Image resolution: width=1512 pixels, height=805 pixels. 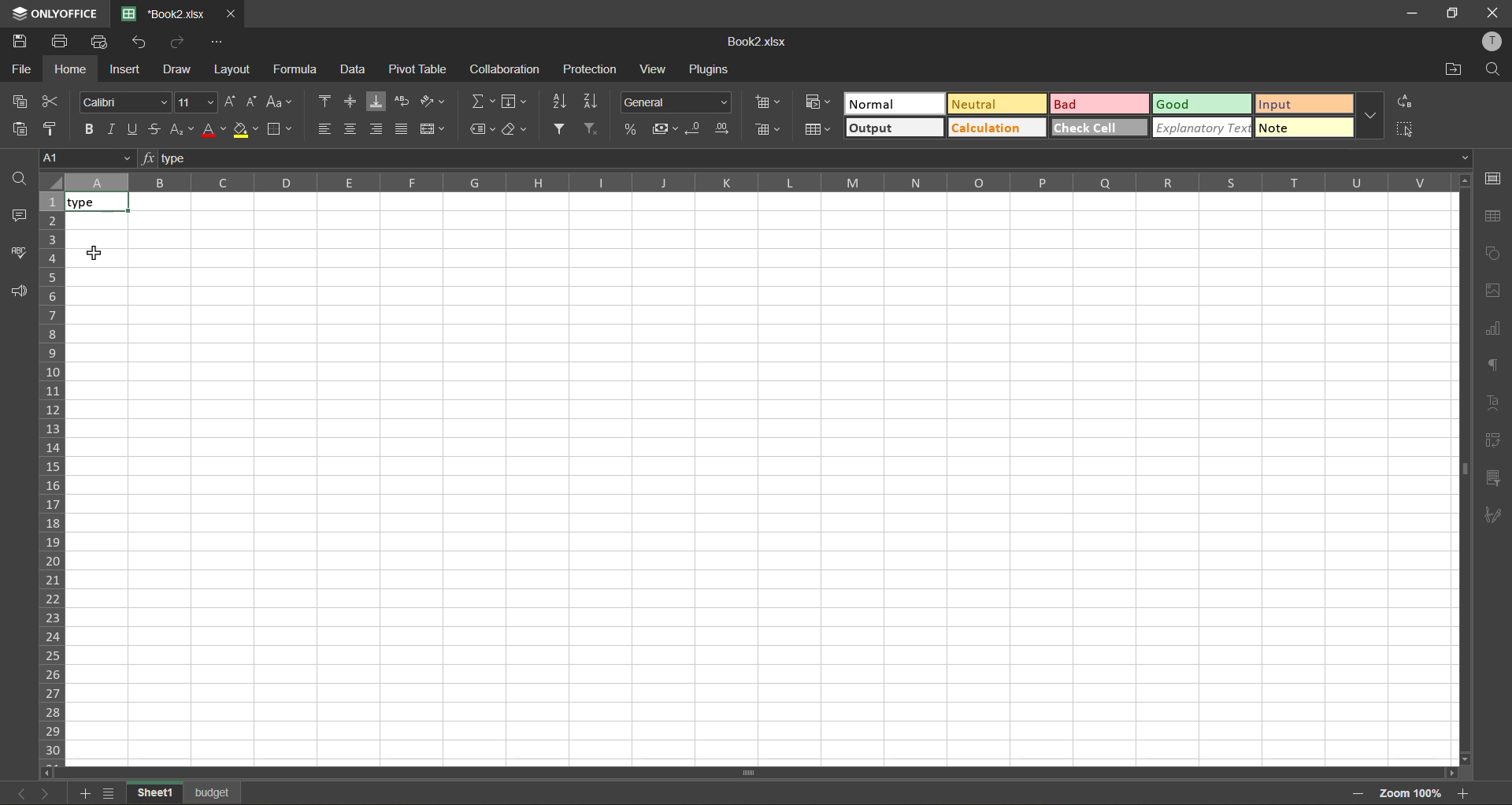 What do you see at coordinates (100, 203) in the screenshot?
I see `cell selected` at bounding box center [100, 203].